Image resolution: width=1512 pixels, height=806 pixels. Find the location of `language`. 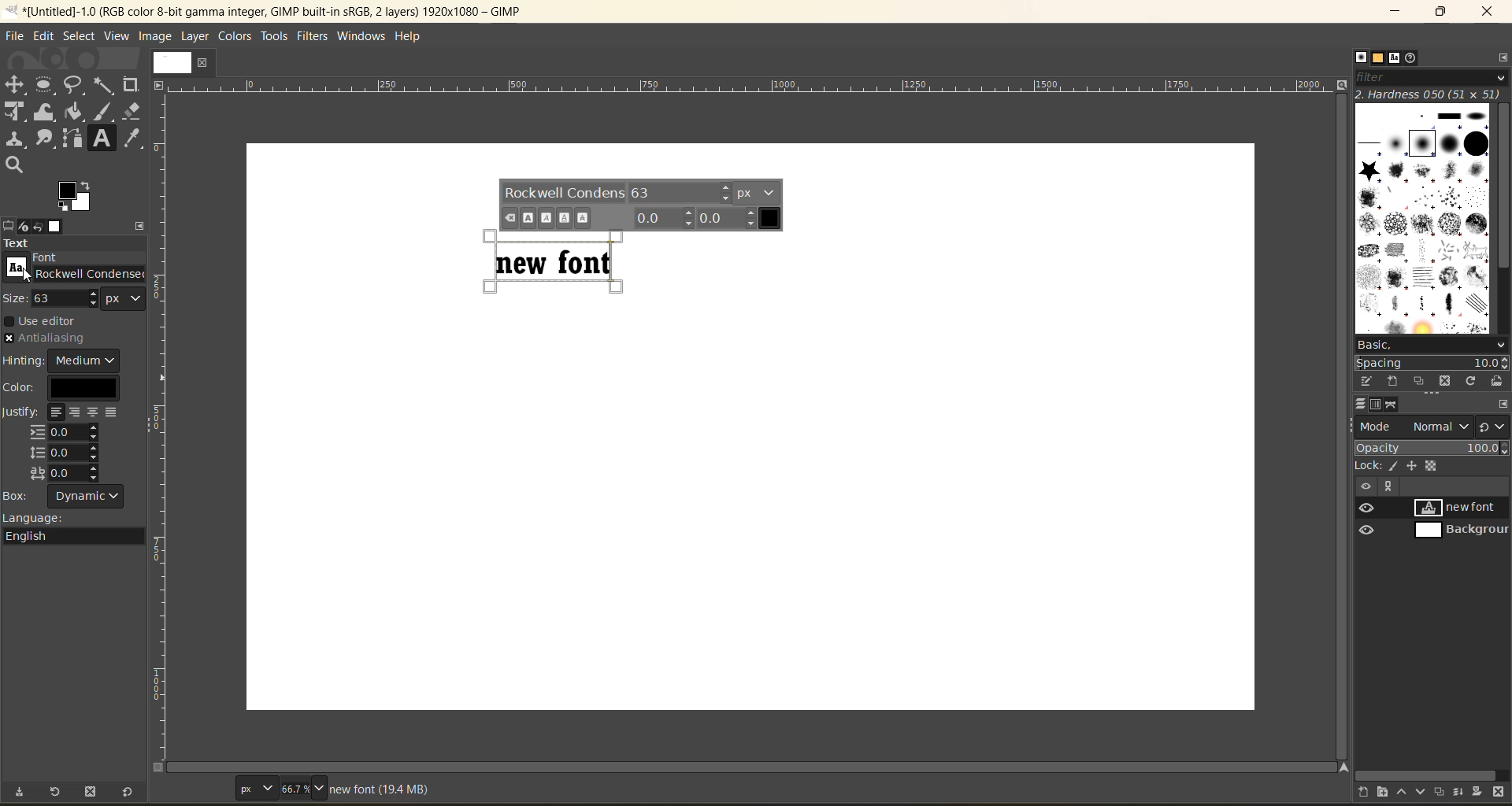

language is located at coordinates (78, 529).